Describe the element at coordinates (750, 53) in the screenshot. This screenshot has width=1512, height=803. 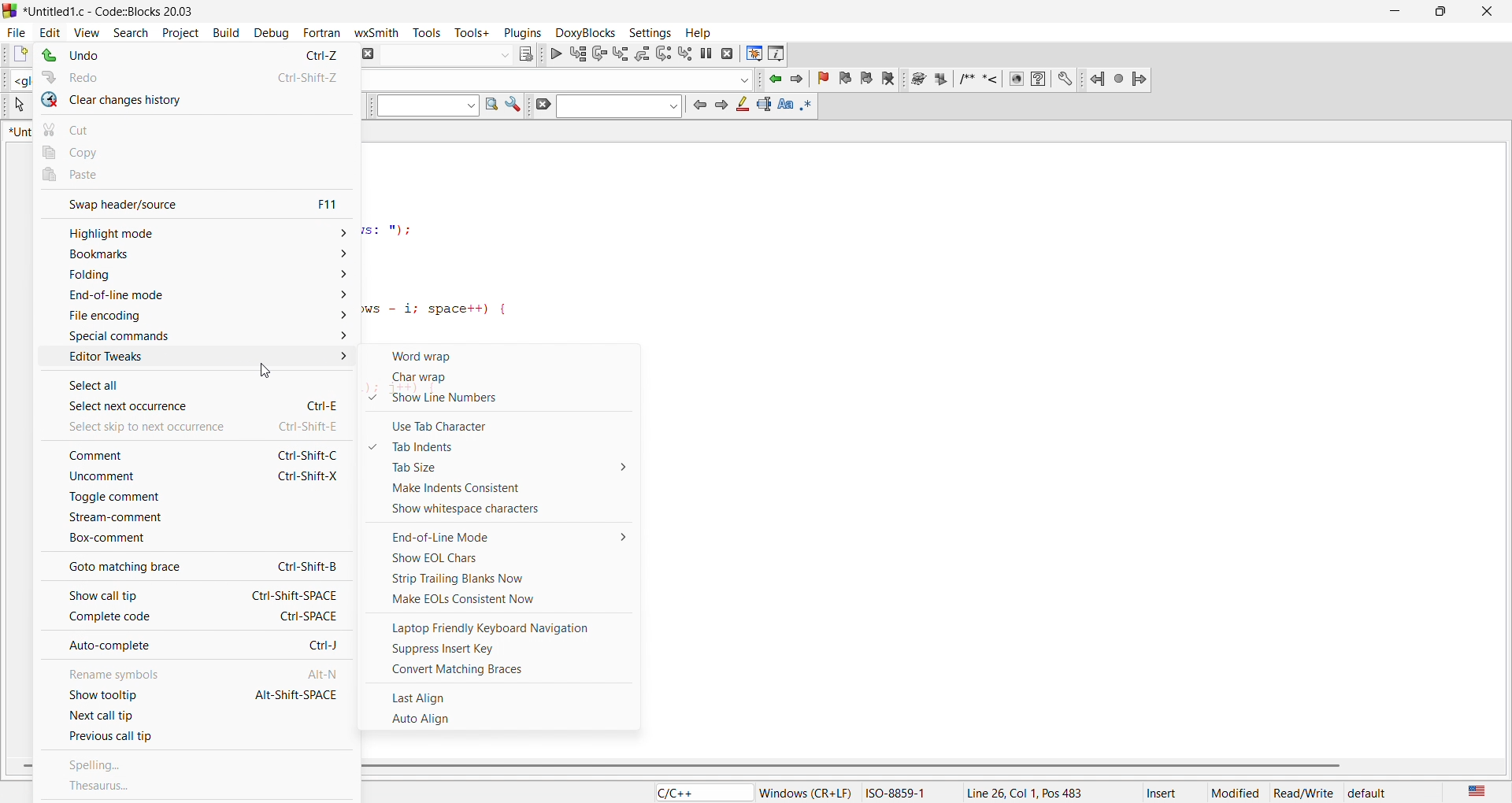
I see `debugging window` at that location.